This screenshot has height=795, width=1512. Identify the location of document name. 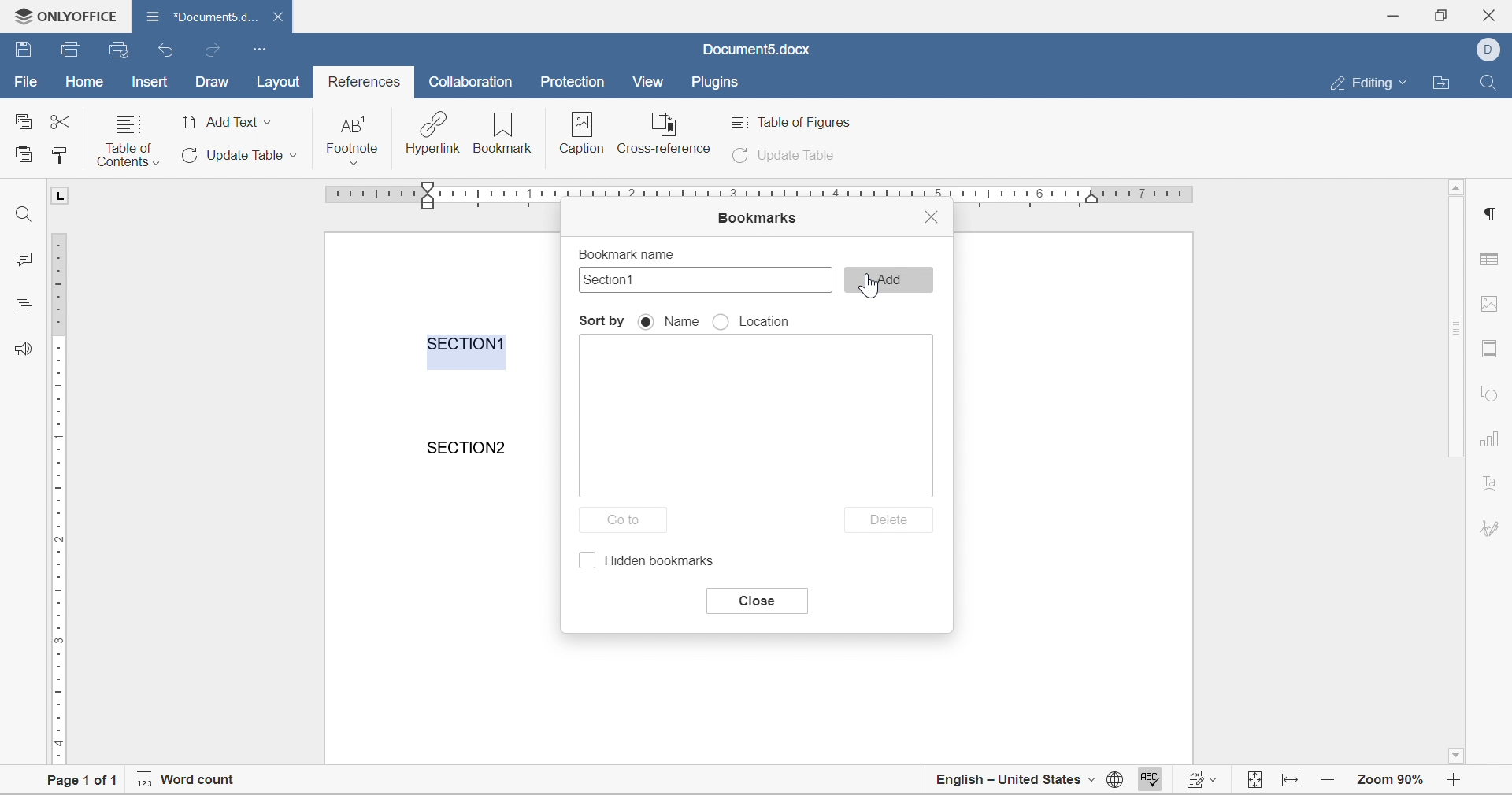
(200, 15).